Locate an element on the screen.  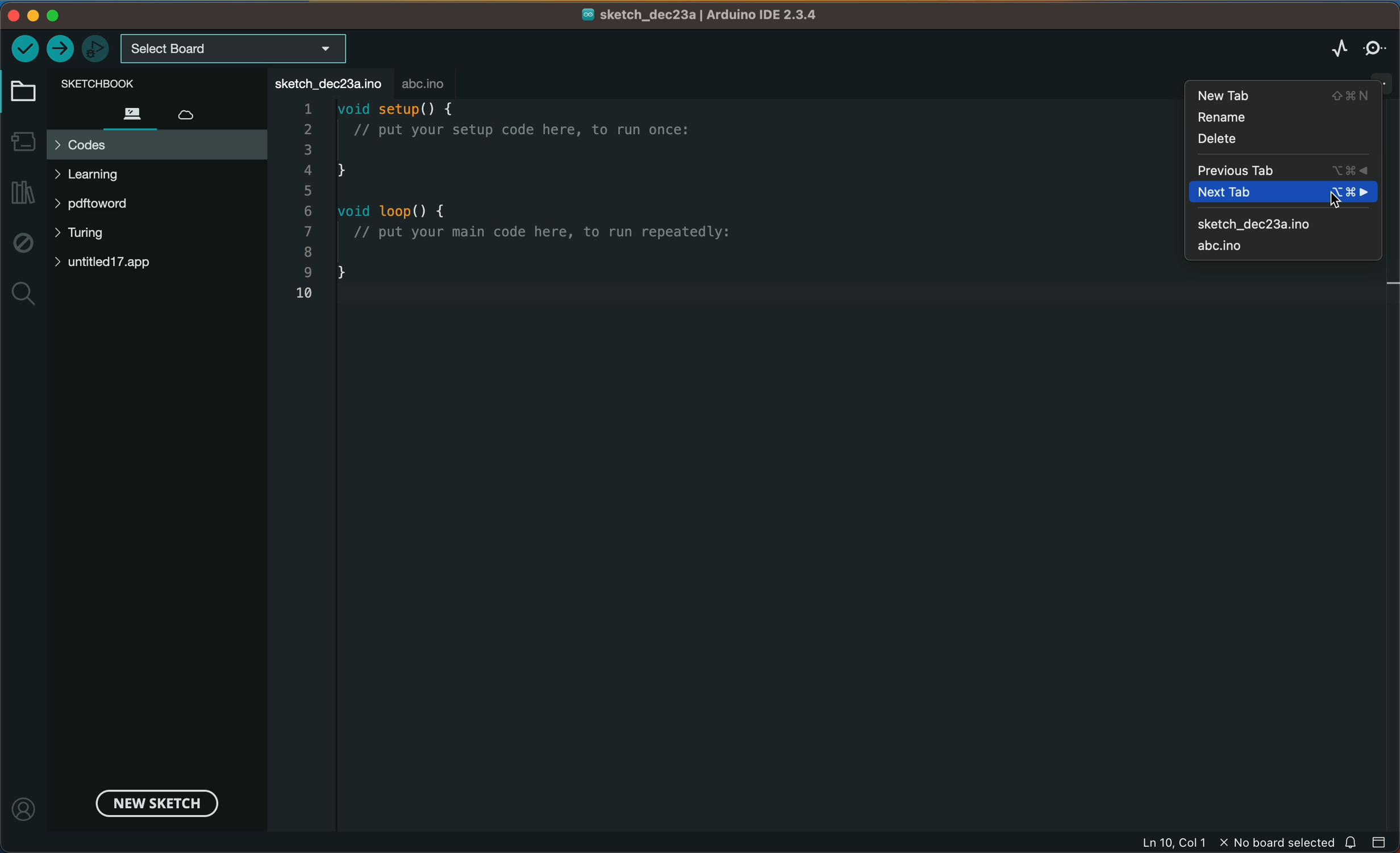
new tab is located at coordinates (1284, 192).